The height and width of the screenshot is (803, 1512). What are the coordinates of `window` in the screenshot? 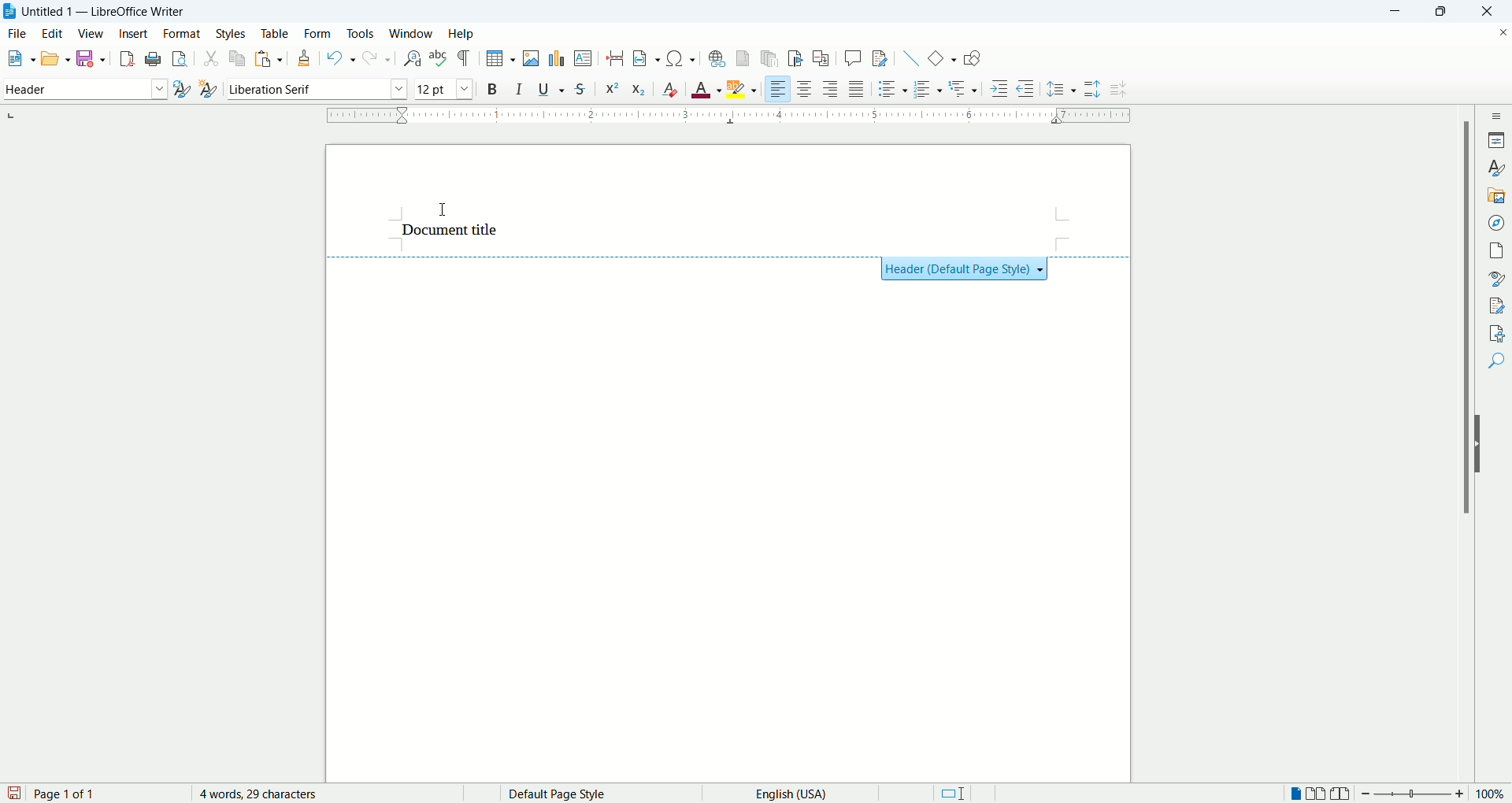 It's located at (412, 34).